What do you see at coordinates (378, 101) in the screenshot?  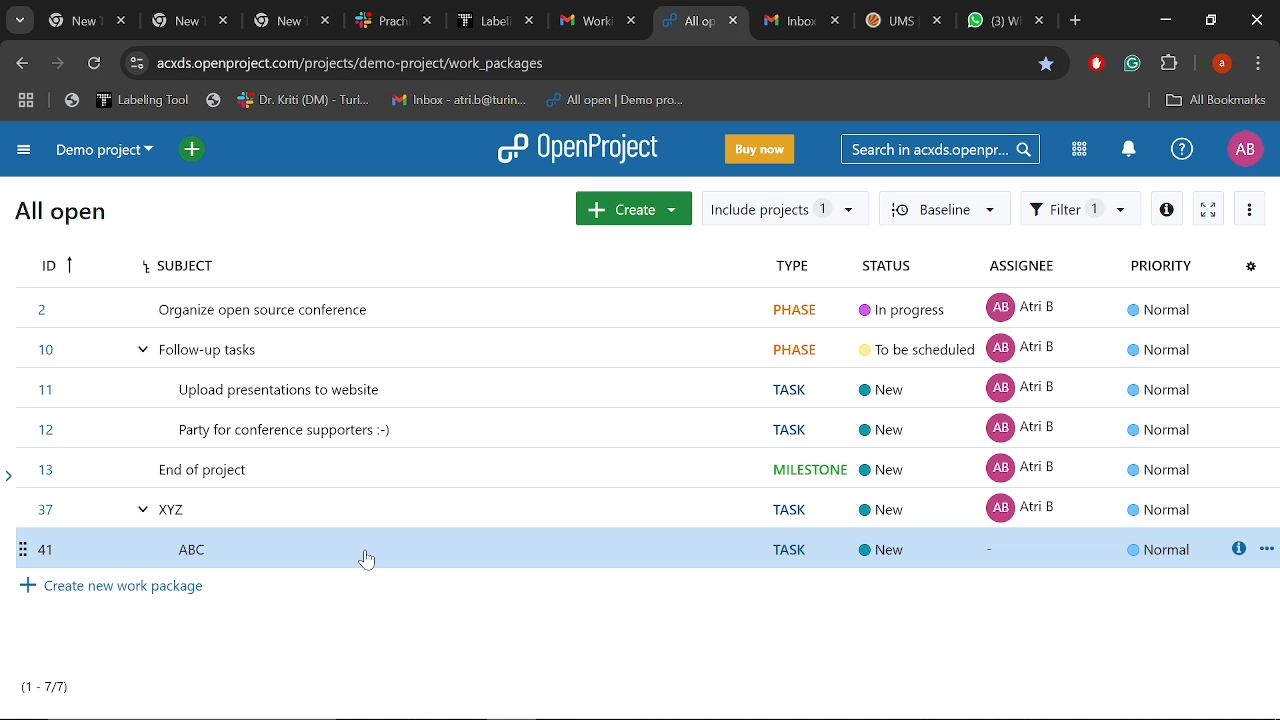 I see `Bookmarked tabs` at bounding box center [378, 101].